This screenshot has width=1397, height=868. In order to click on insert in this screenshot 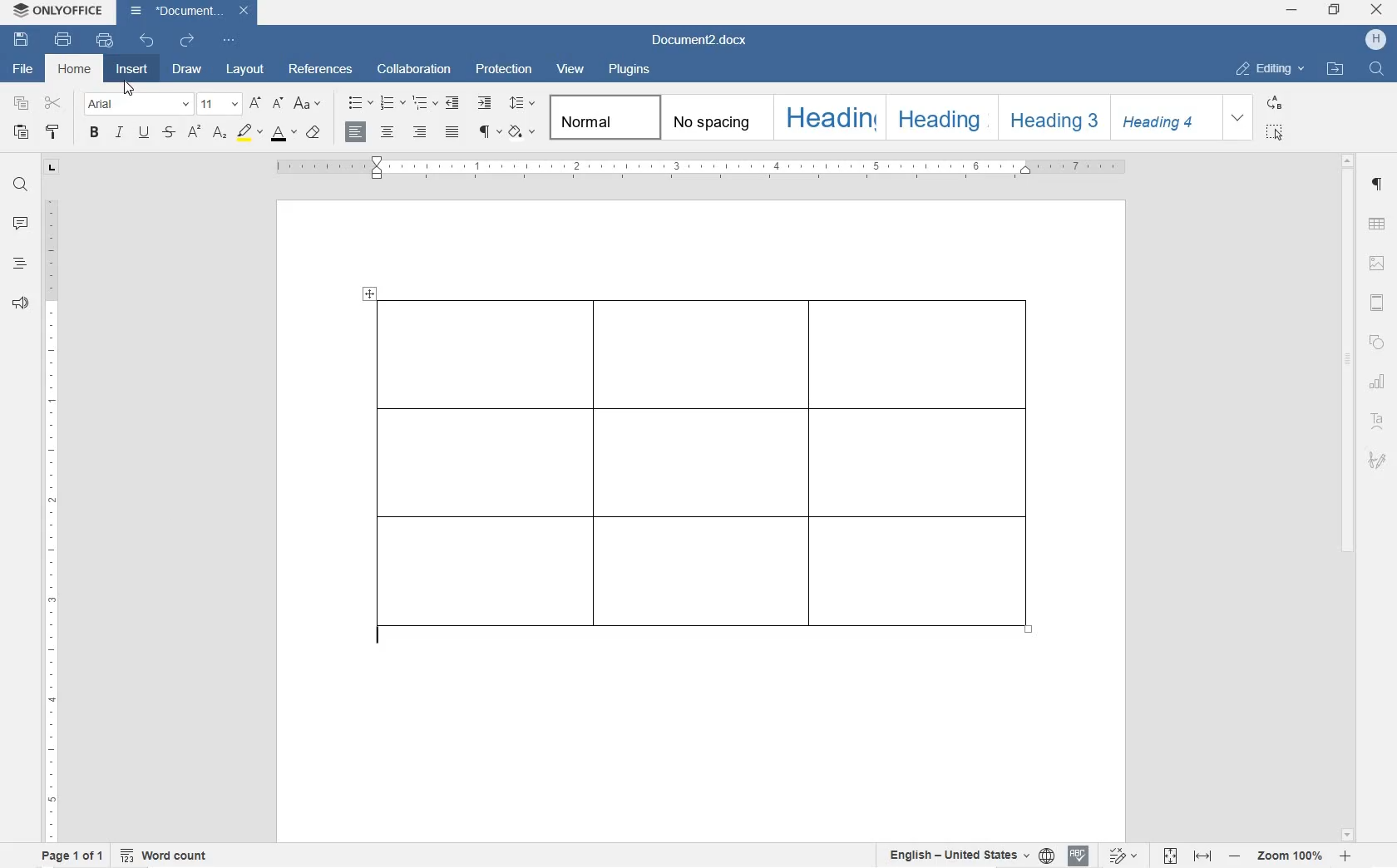, I will do `click(131, 70)`.